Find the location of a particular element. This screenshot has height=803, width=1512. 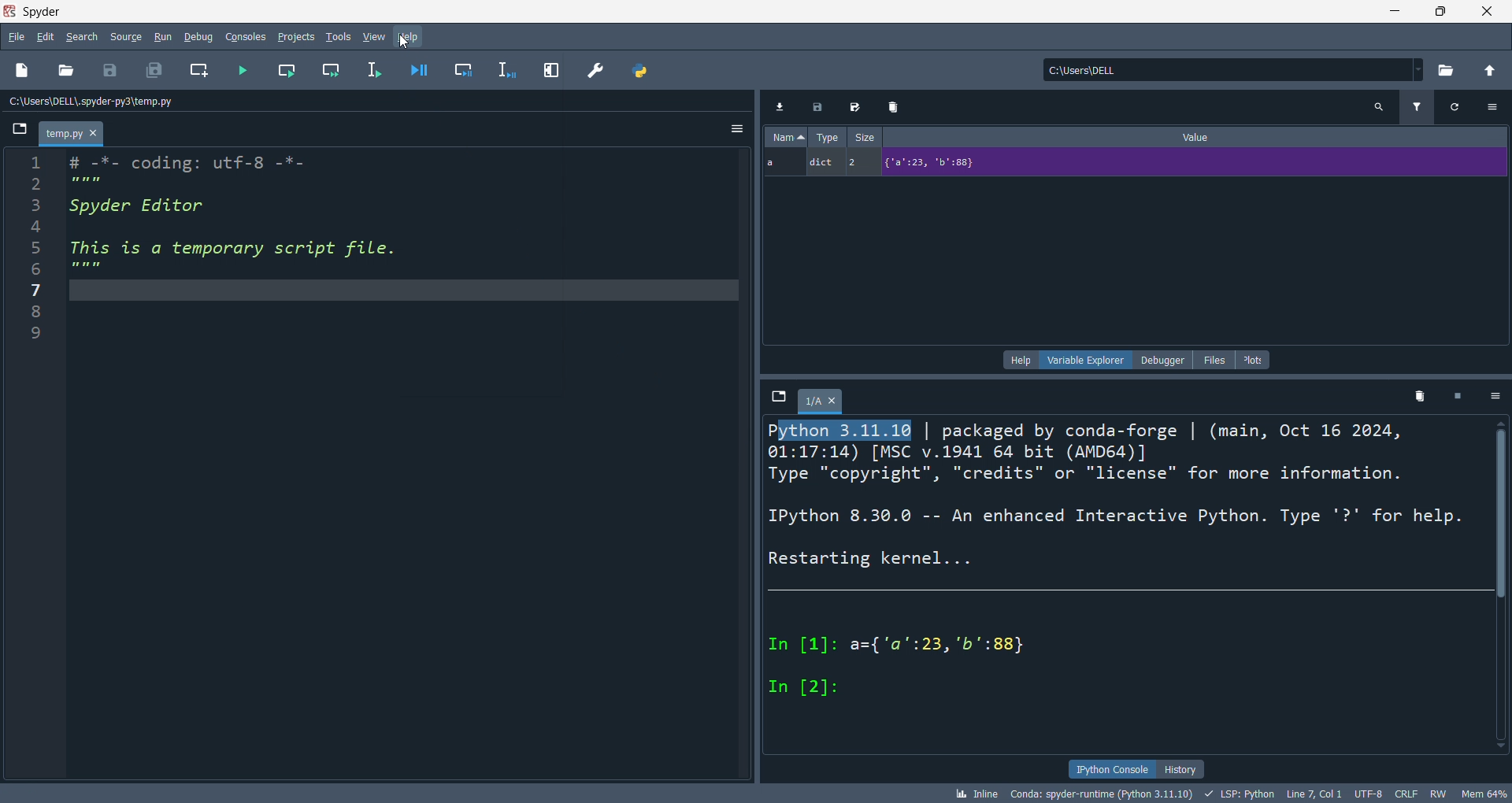

save is located at coordinates (111, 72).